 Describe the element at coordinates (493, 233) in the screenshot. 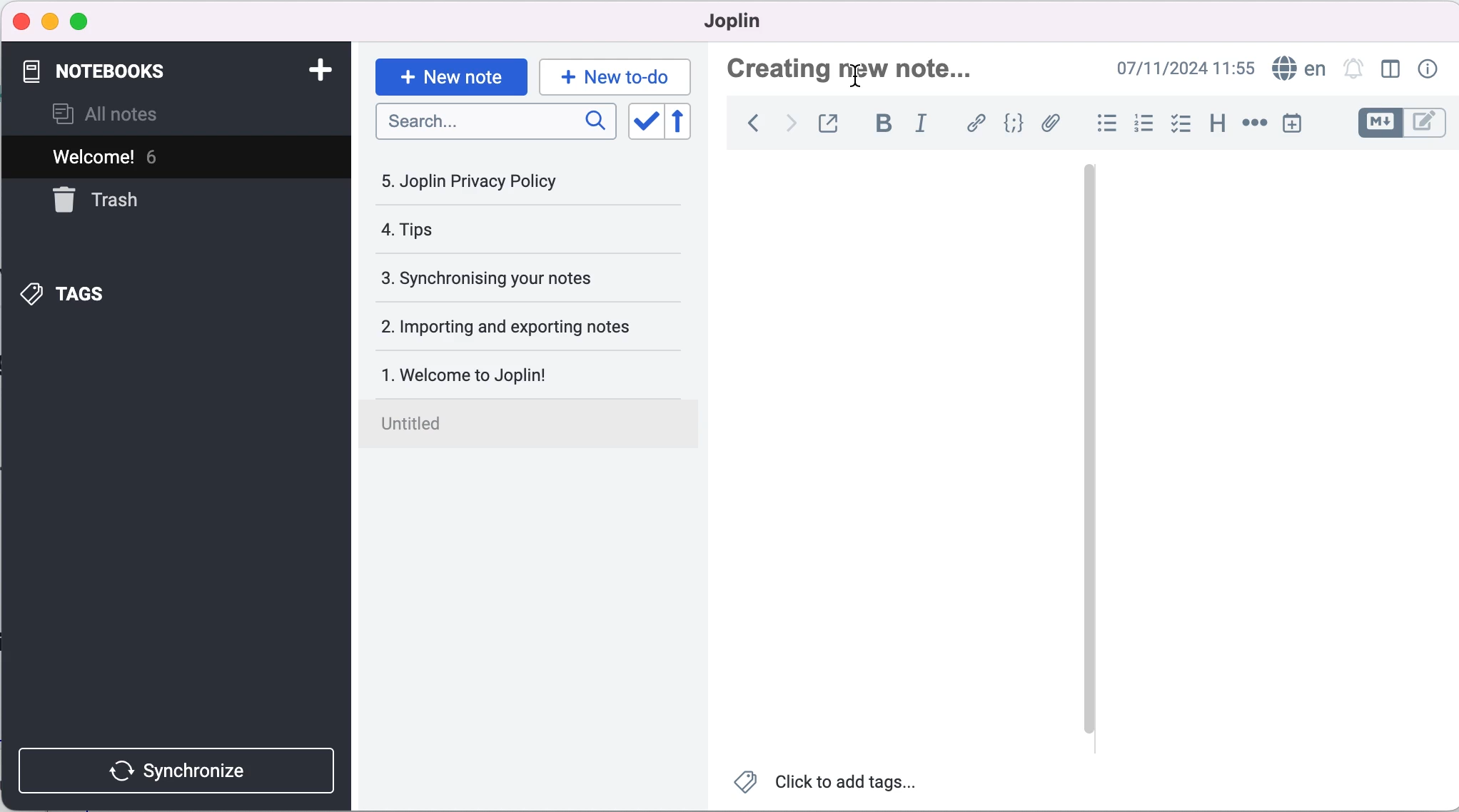

I see `tips` at that location.